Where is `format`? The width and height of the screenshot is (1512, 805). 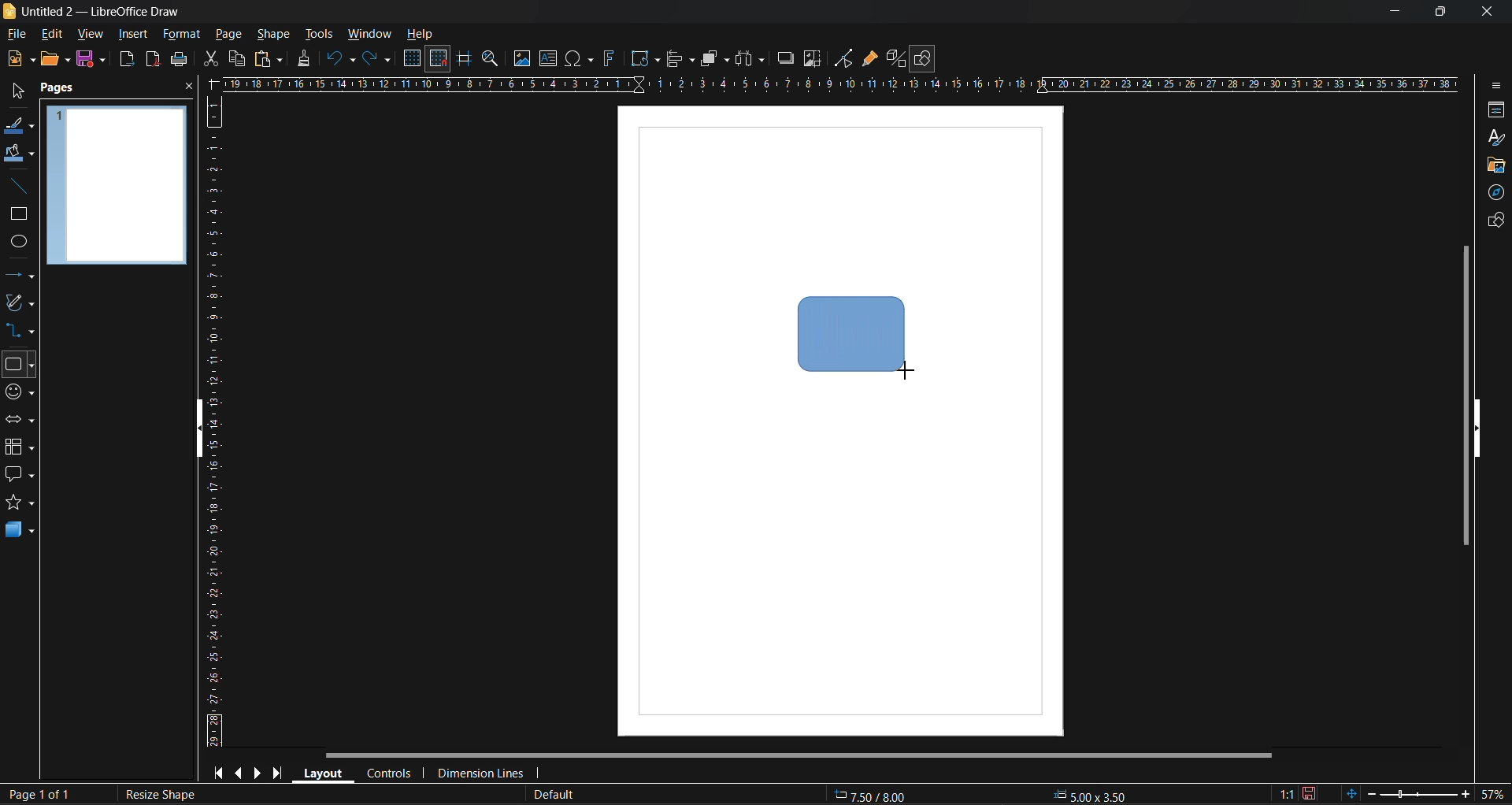 format is located at coordinates (180, 35).